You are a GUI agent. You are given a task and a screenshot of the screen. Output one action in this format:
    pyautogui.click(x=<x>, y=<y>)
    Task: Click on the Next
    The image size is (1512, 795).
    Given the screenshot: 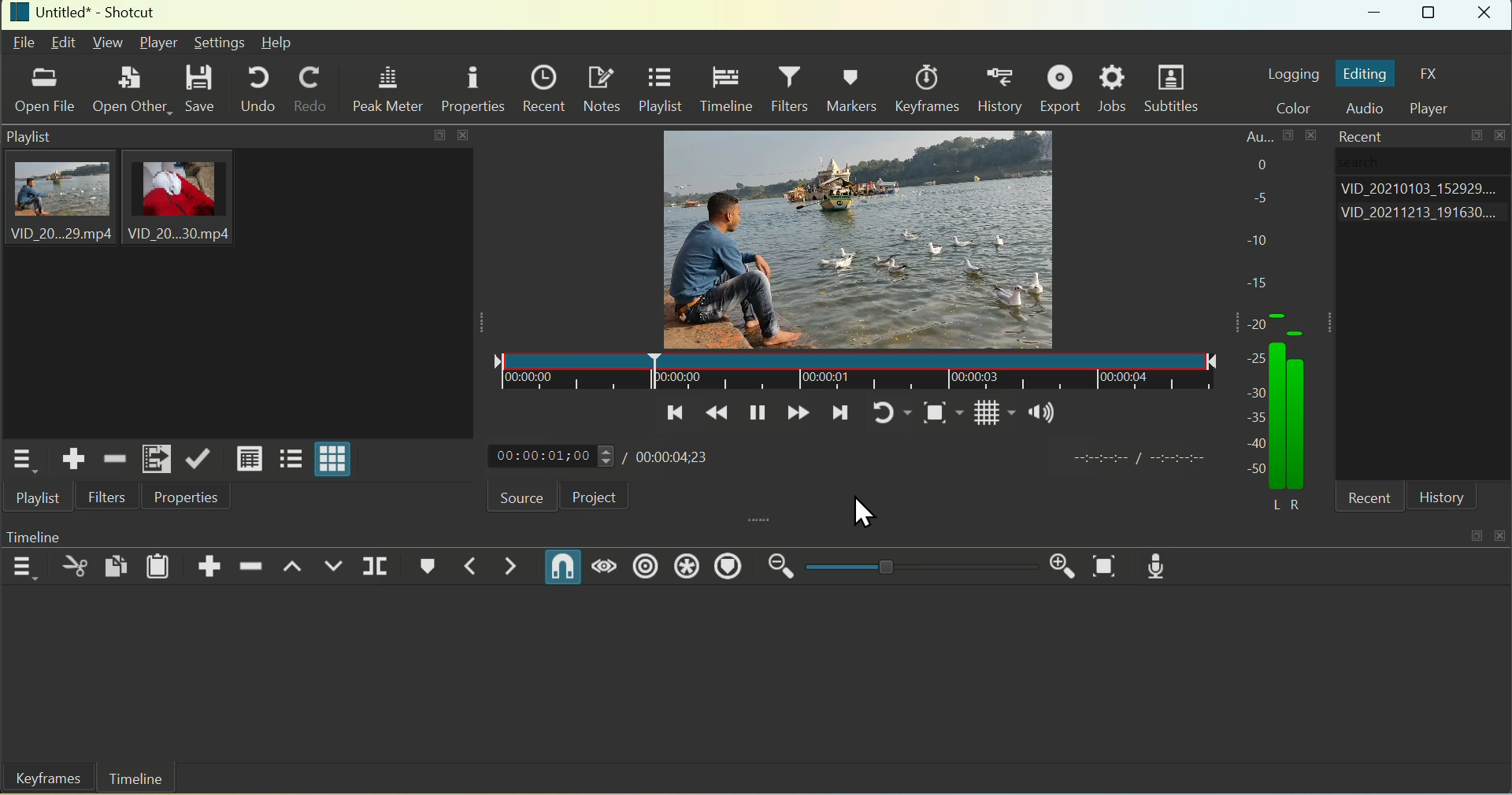 What is the action you would take?
    pyautogui.click(x=840, y=417)
    